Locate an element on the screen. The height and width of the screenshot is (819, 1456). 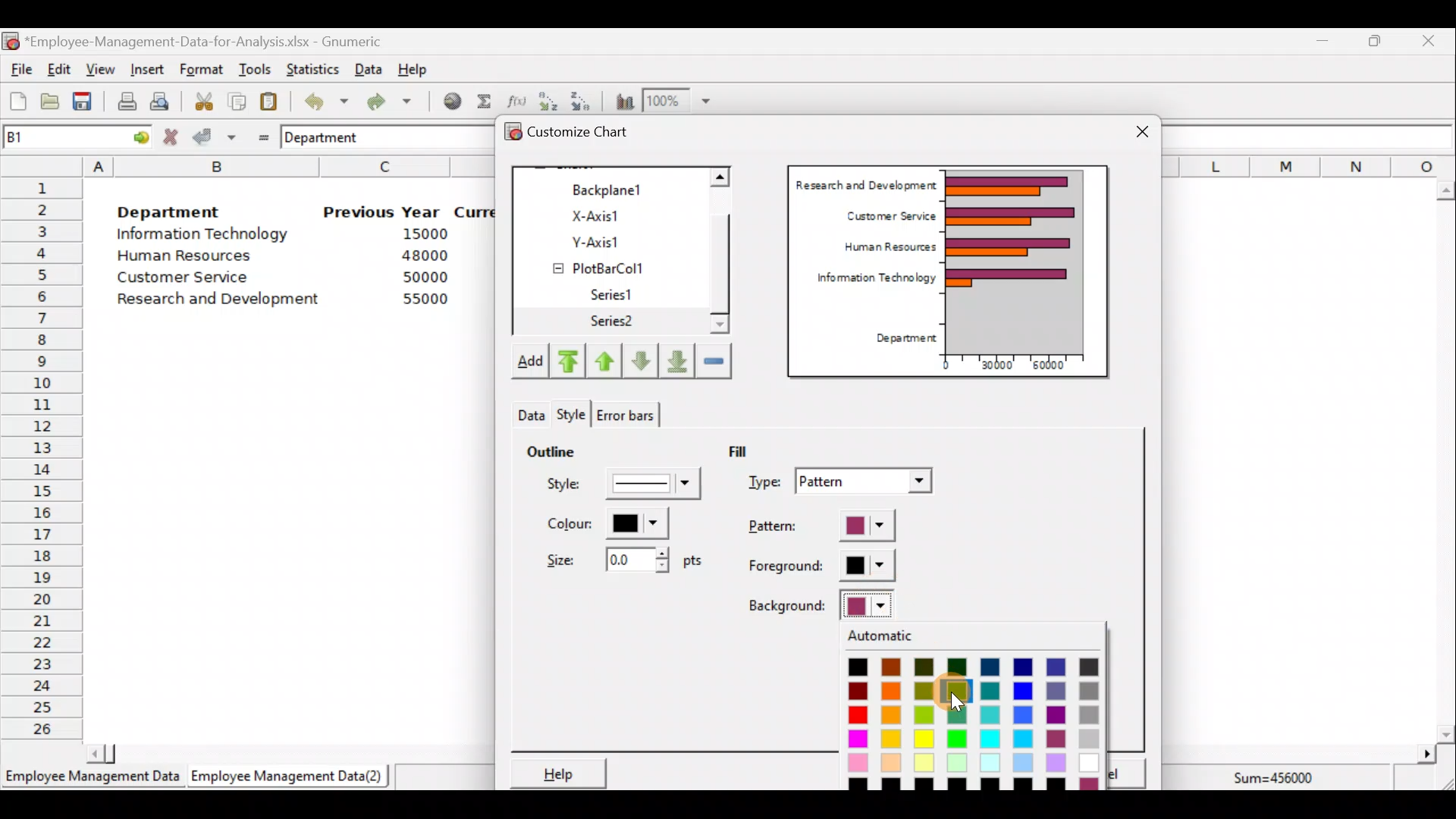
Cancel change is located at coordinates (173, 136).